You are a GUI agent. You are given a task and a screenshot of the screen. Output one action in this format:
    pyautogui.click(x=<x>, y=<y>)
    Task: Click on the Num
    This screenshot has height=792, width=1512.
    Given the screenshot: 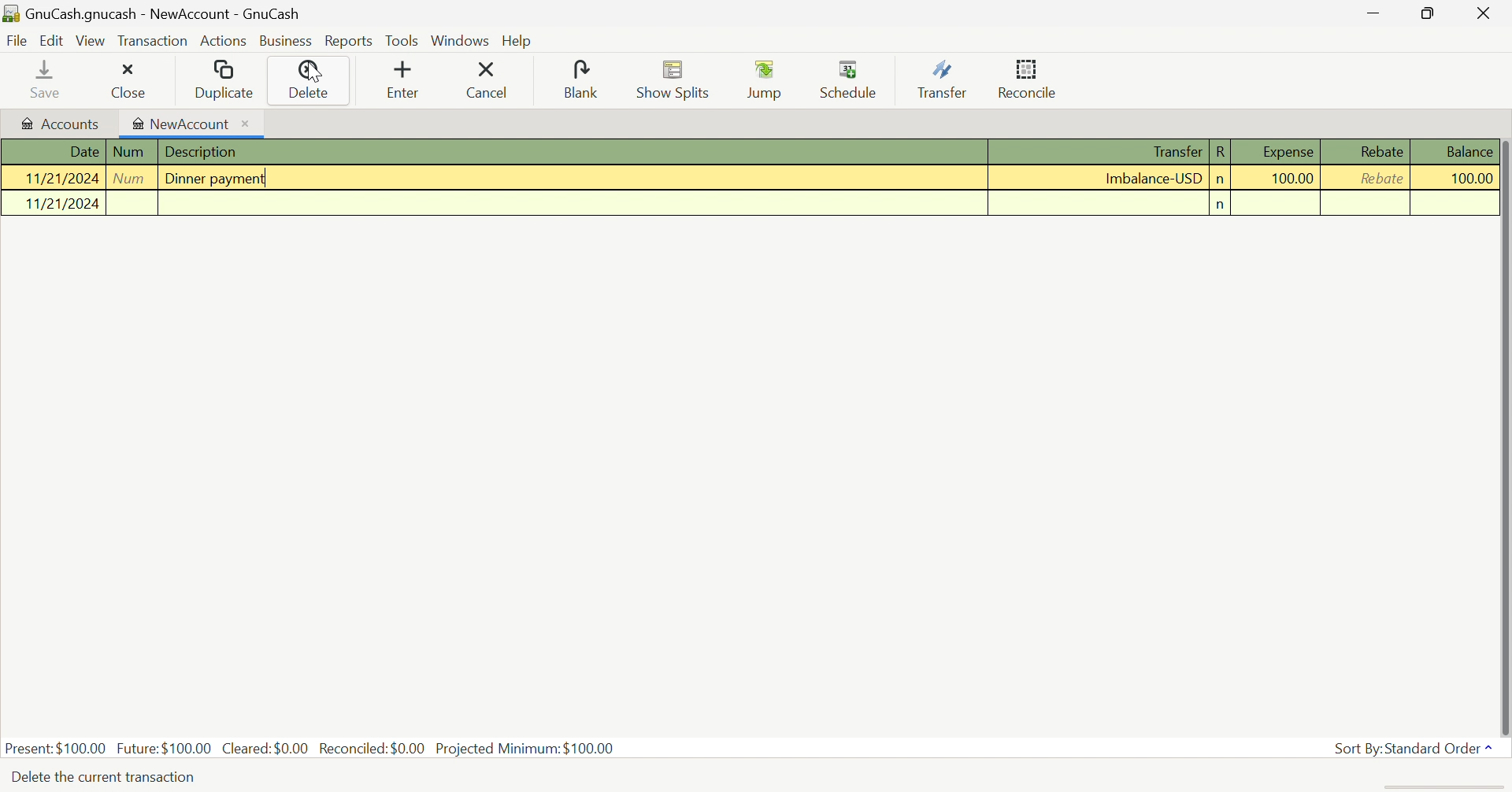 What is the action you would take?
    pyautogui.click(x=131, y=178)
    